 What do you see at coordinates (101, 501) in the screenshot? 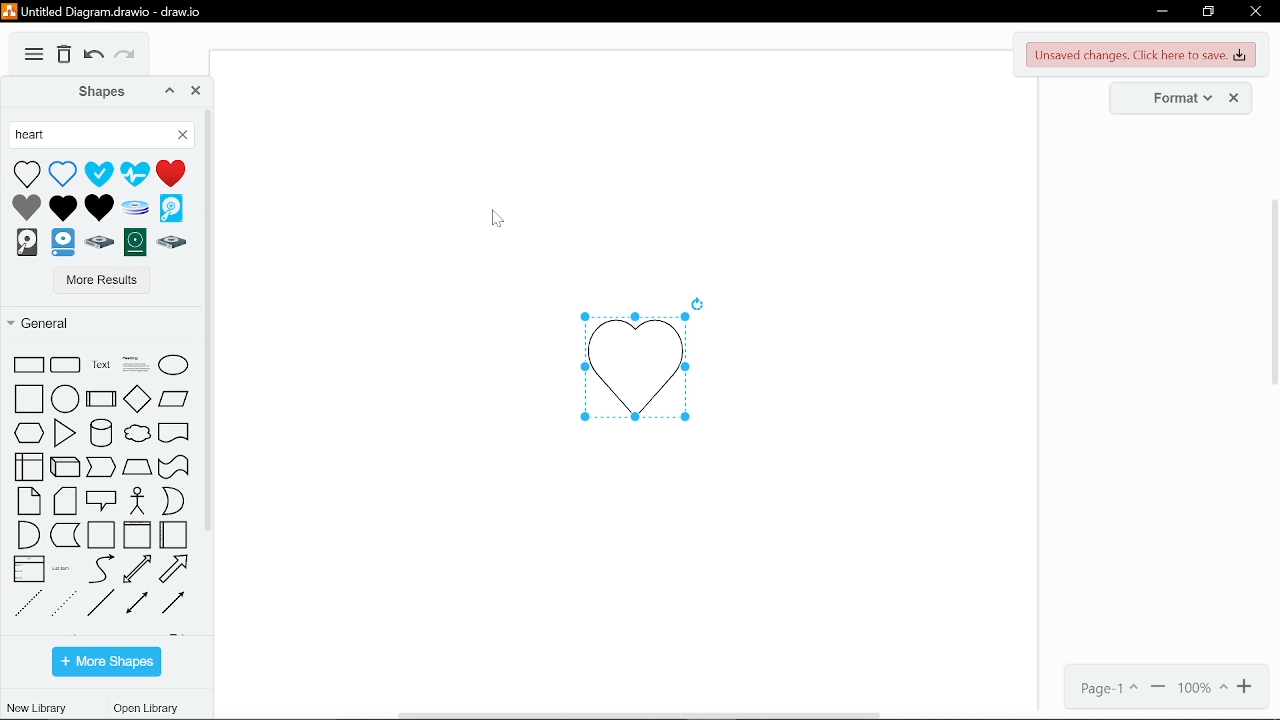
I see `callout` at bounding box center [101, 501].